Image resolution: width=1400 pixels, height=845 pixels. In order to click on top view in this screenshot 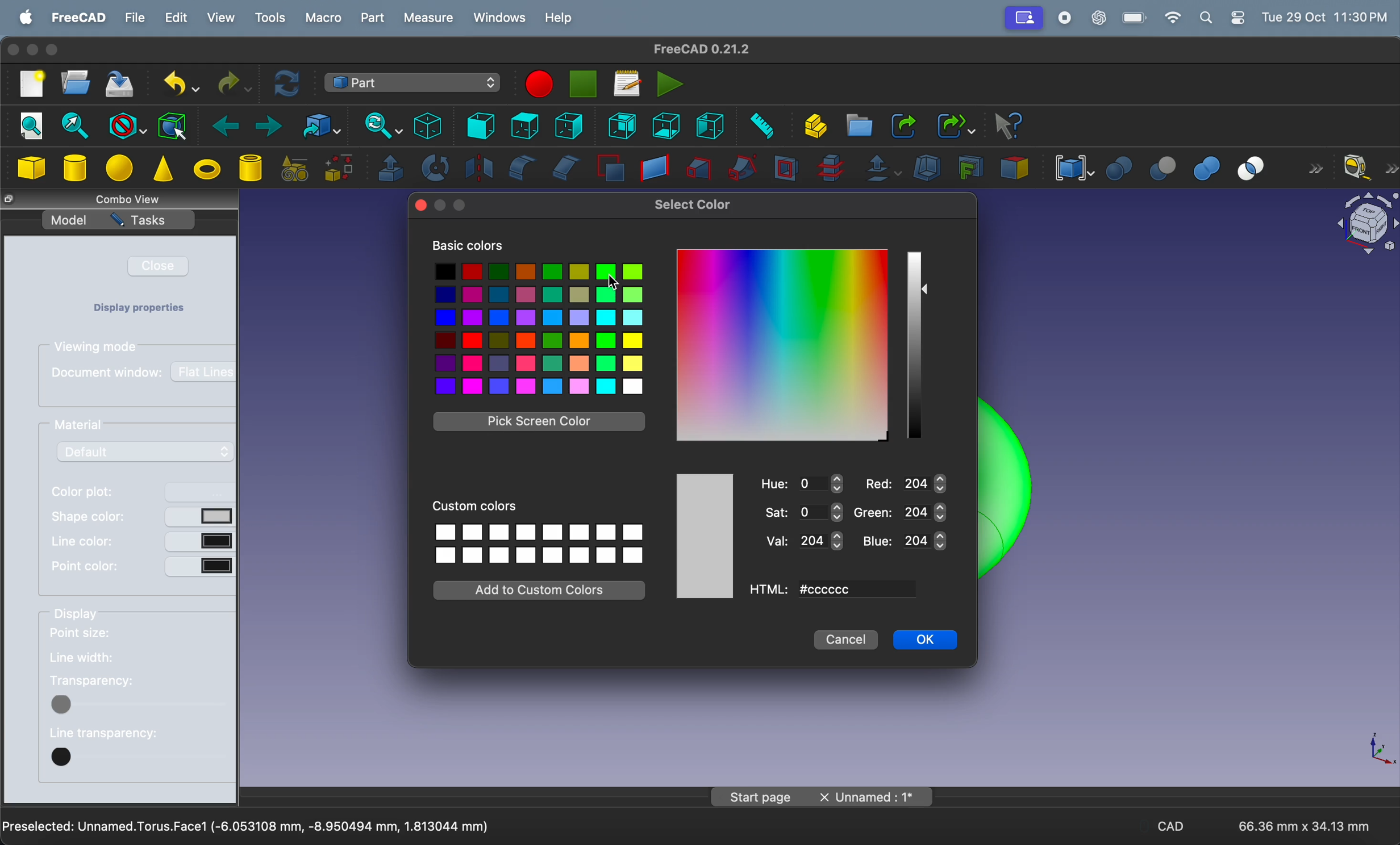, I will do `click(526, 126)`.